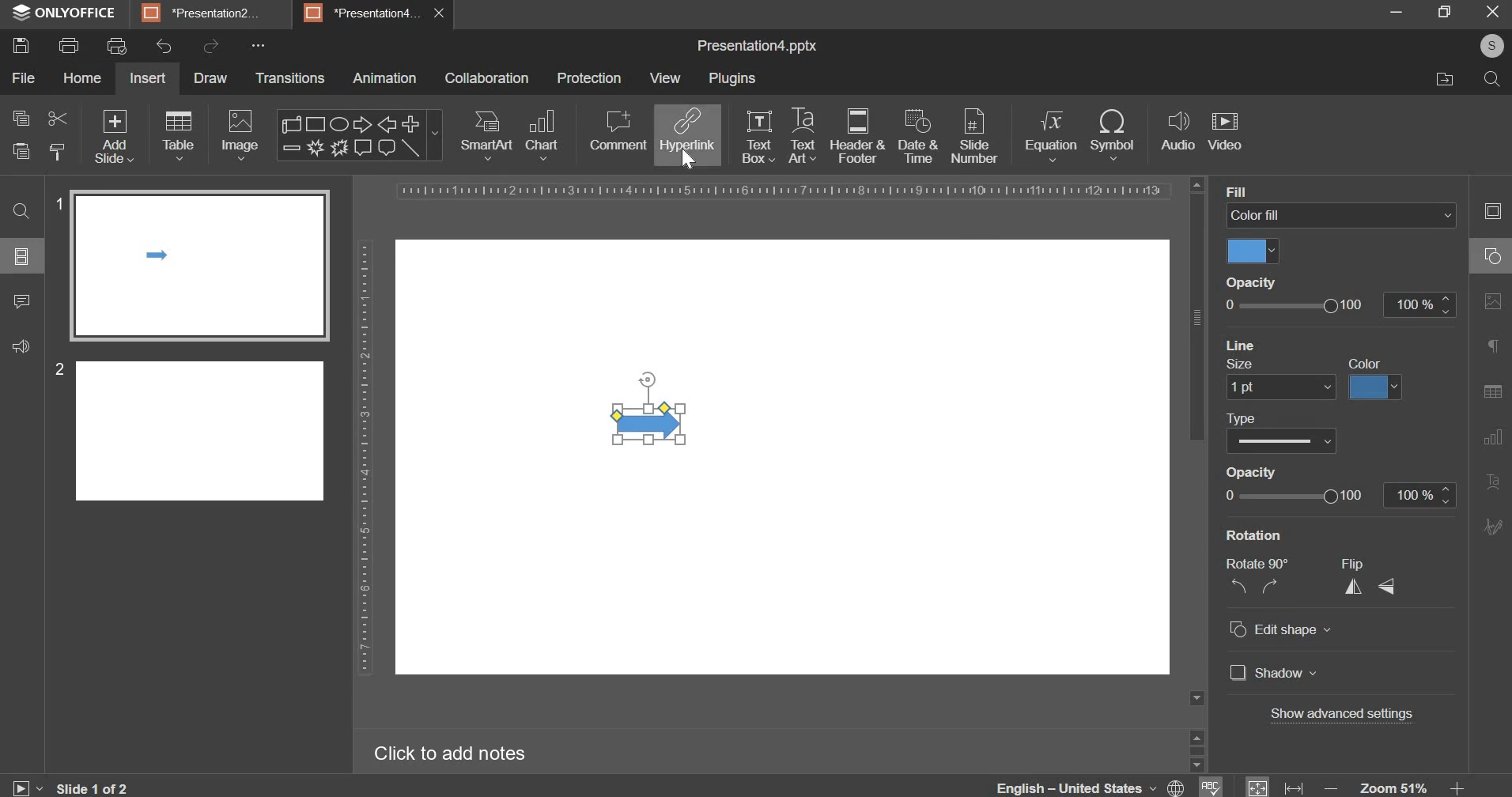 The height and width of the screenshot is (797, 1512). I want to click on spelling, so click(1209, 780).